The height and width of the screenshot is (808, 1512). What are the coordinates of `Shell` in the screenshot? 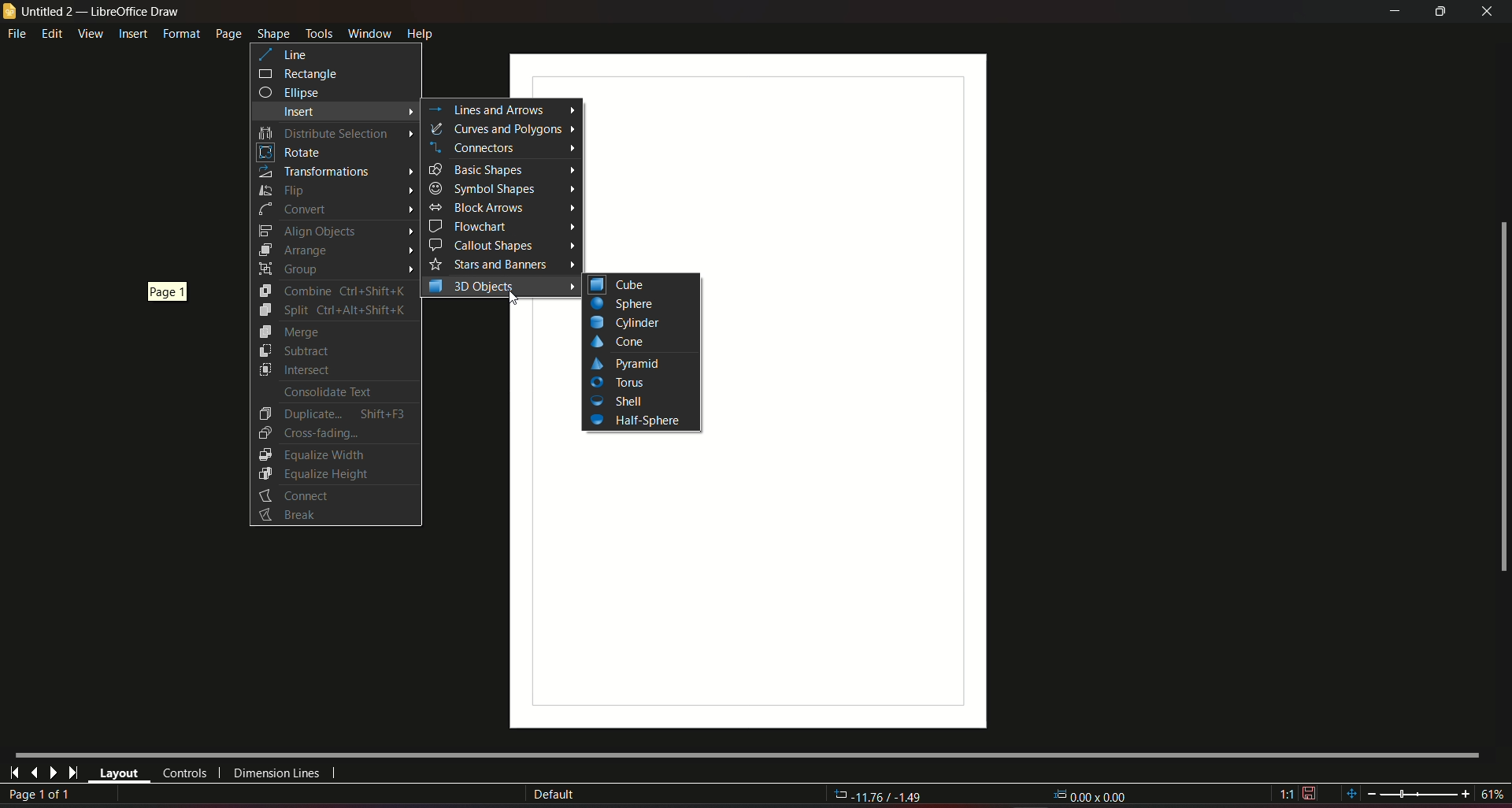 It's located at (621, 402).